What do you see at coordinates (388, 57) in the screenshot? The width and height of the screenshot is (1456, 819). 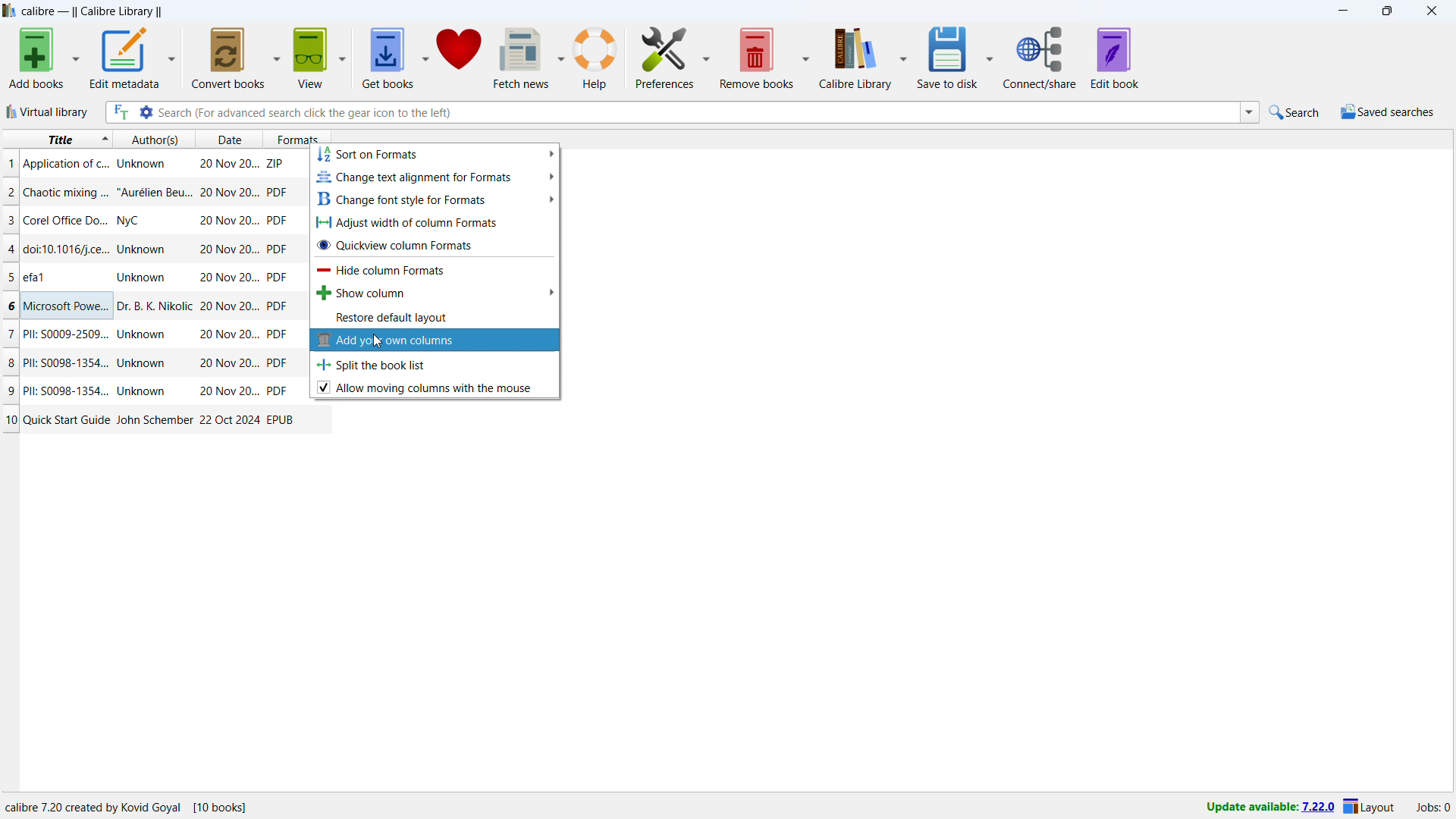 I see `get books` at bounding box center [388, 57].